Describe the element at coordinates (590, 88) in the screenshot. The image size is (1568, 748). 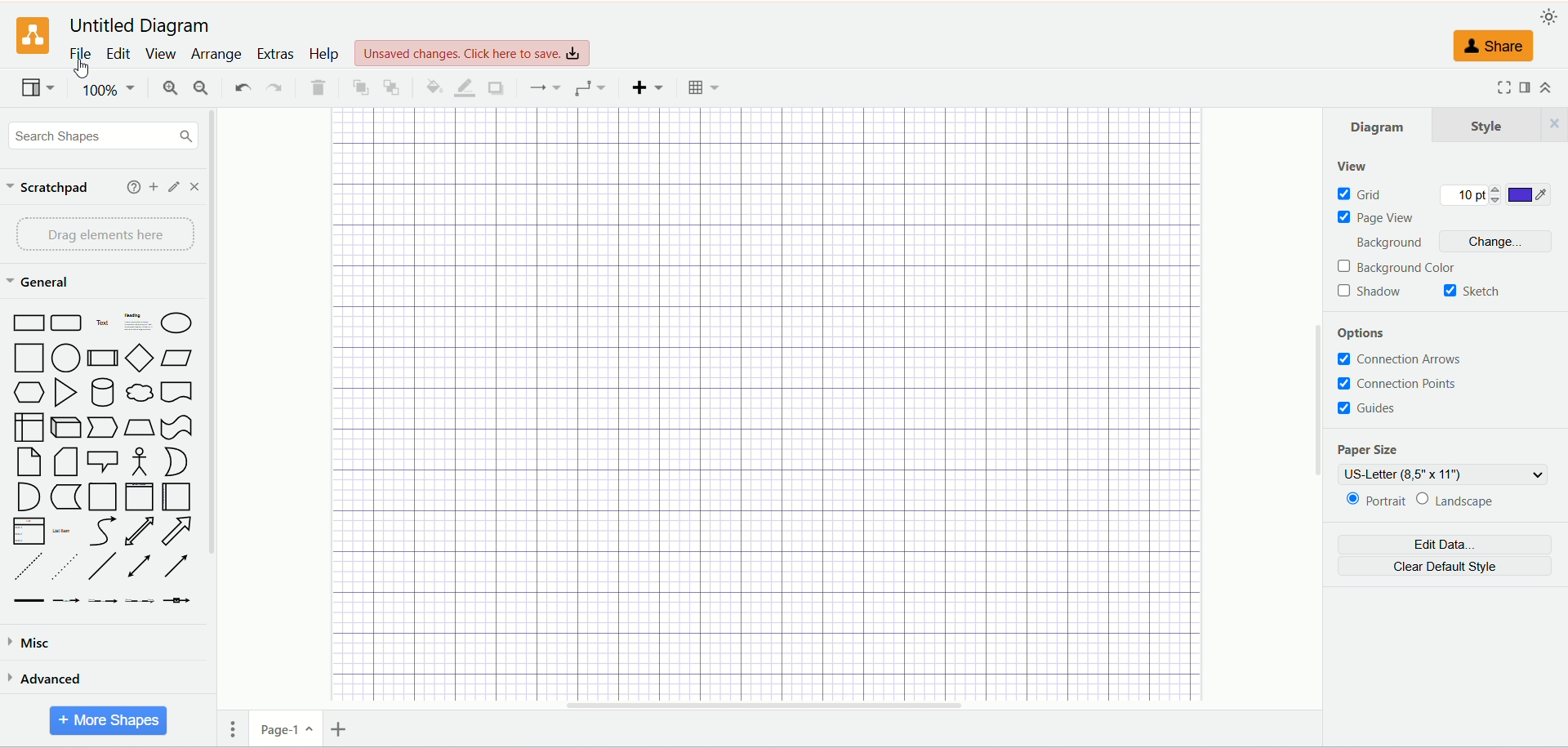
I see `connection` at that location.